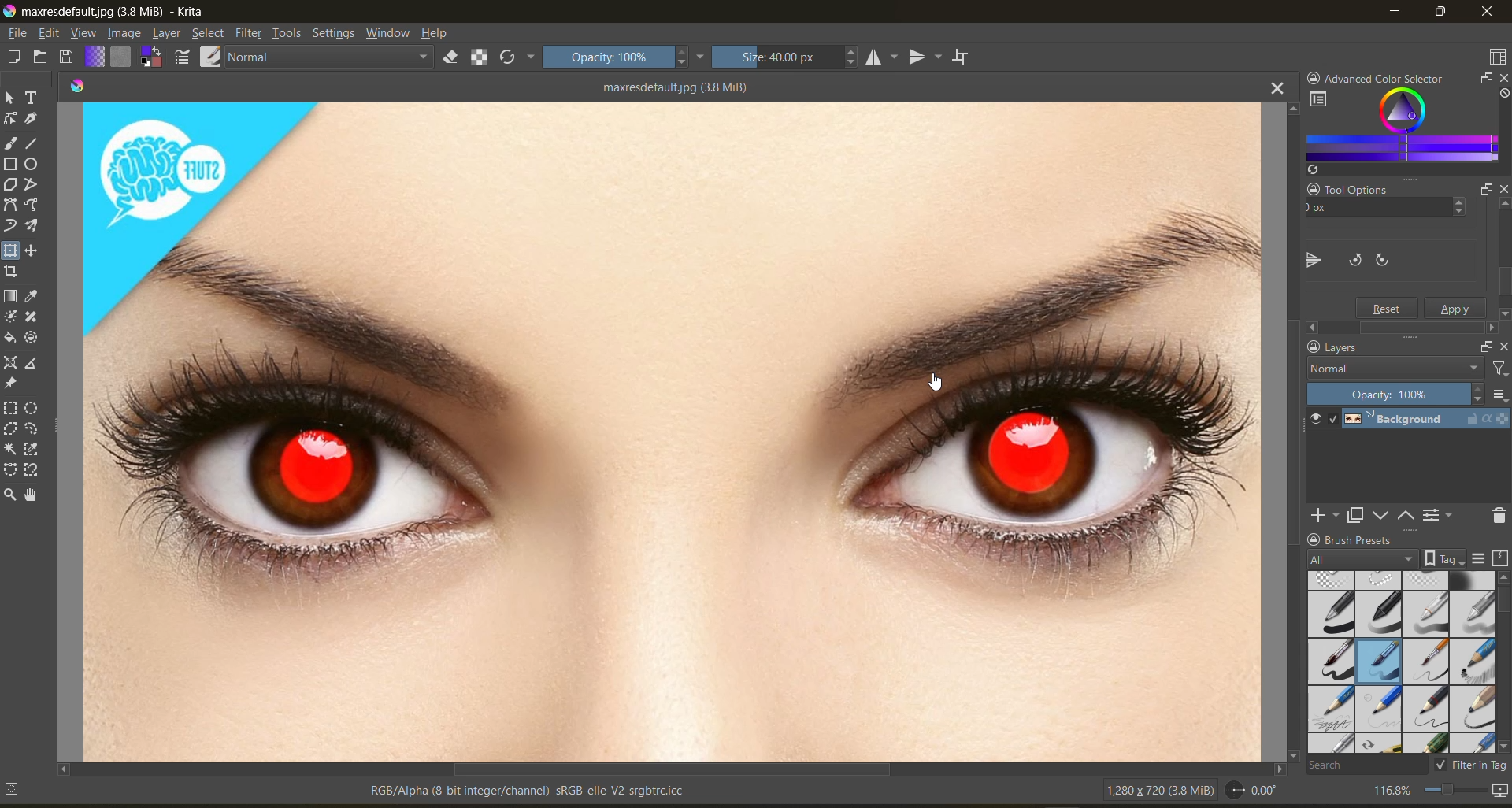  Describe the element at coordinates (31, 410) in the screenshot. I see `tool` at that location.